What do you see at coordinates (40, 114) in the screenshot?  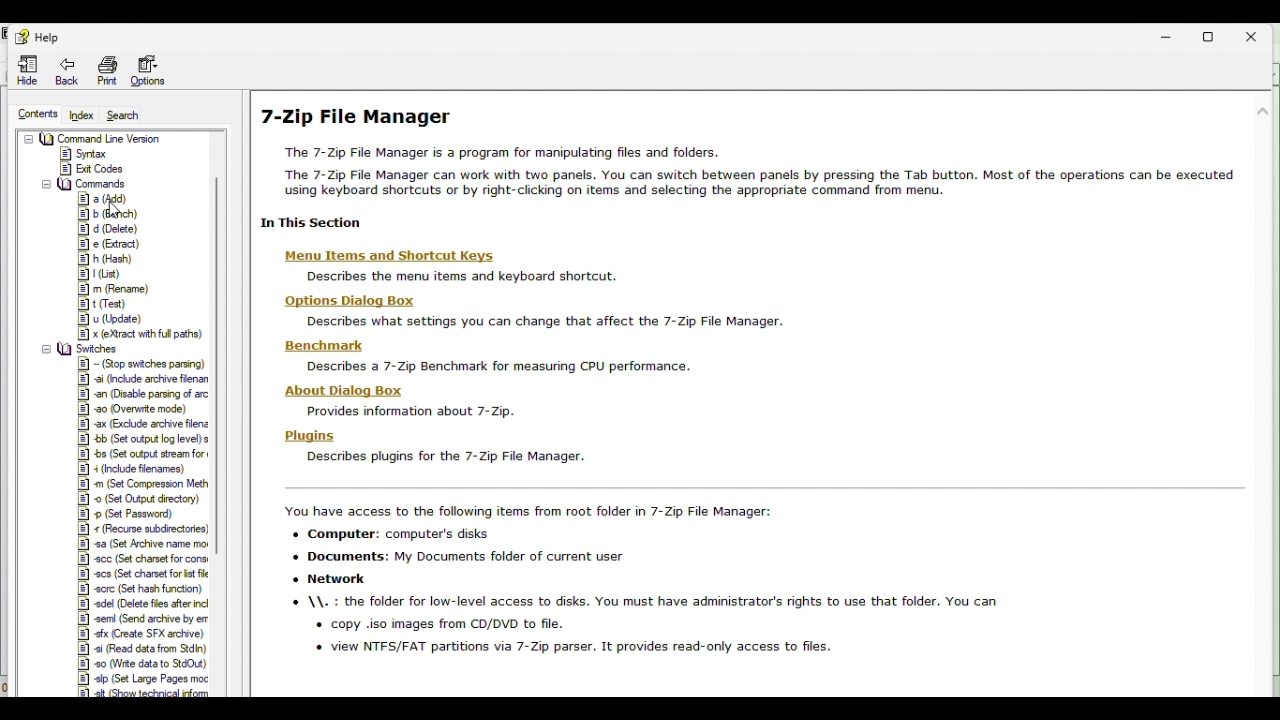 I see `Contents` at bounding box center [40, 114].